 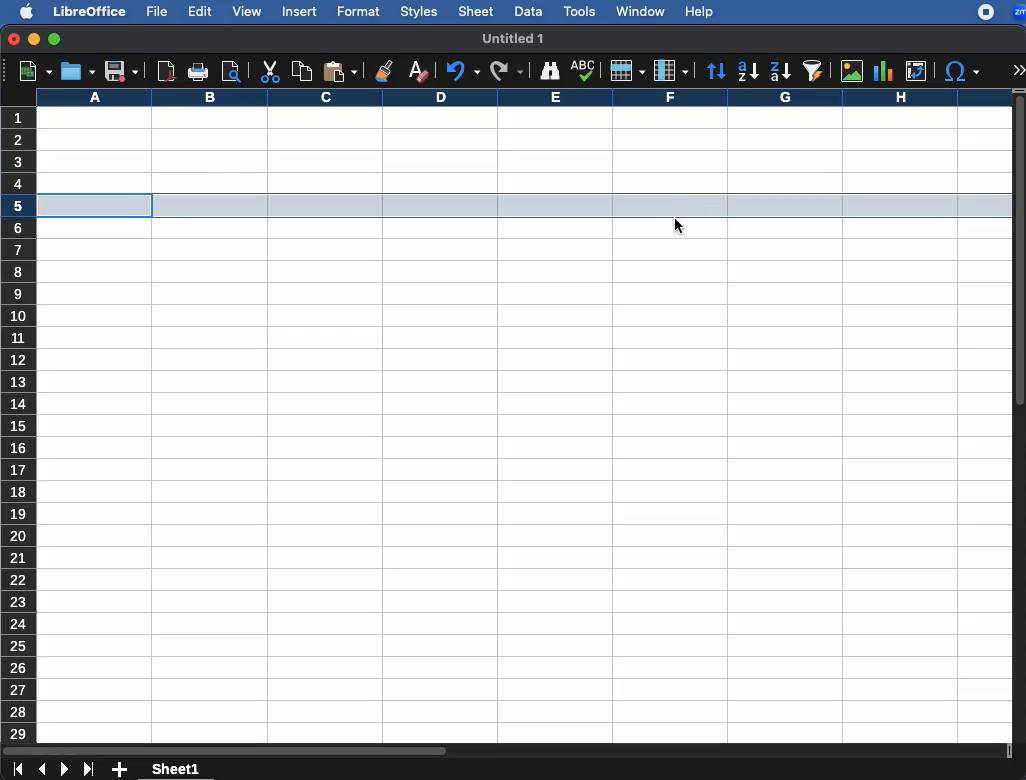 What do you see at coordinates (748, 69) in the screenshot?
I see `ascending` at bounding box center [748, 69].